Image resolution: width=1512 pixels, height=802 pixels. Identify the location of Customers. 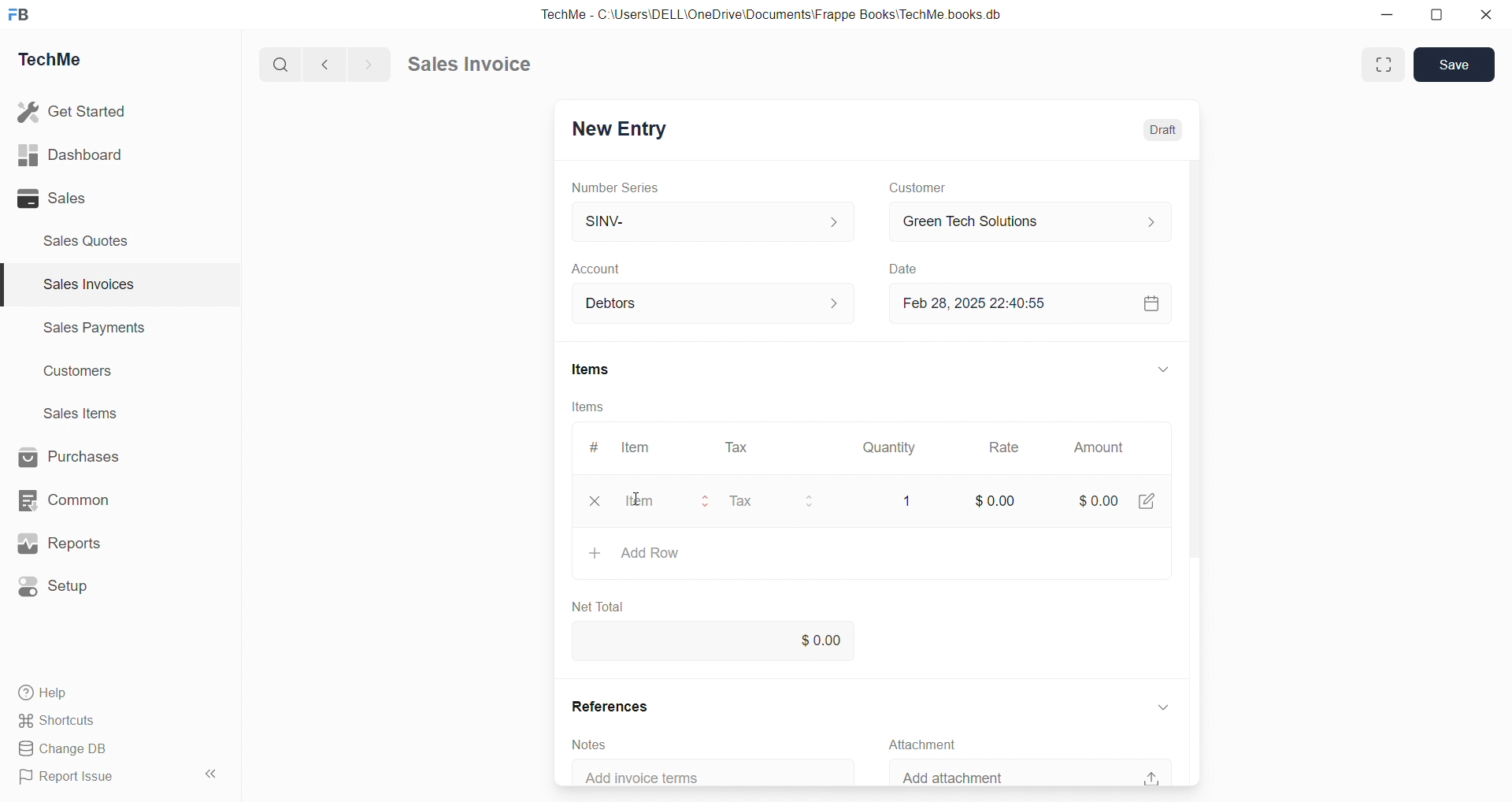
(80, 373).